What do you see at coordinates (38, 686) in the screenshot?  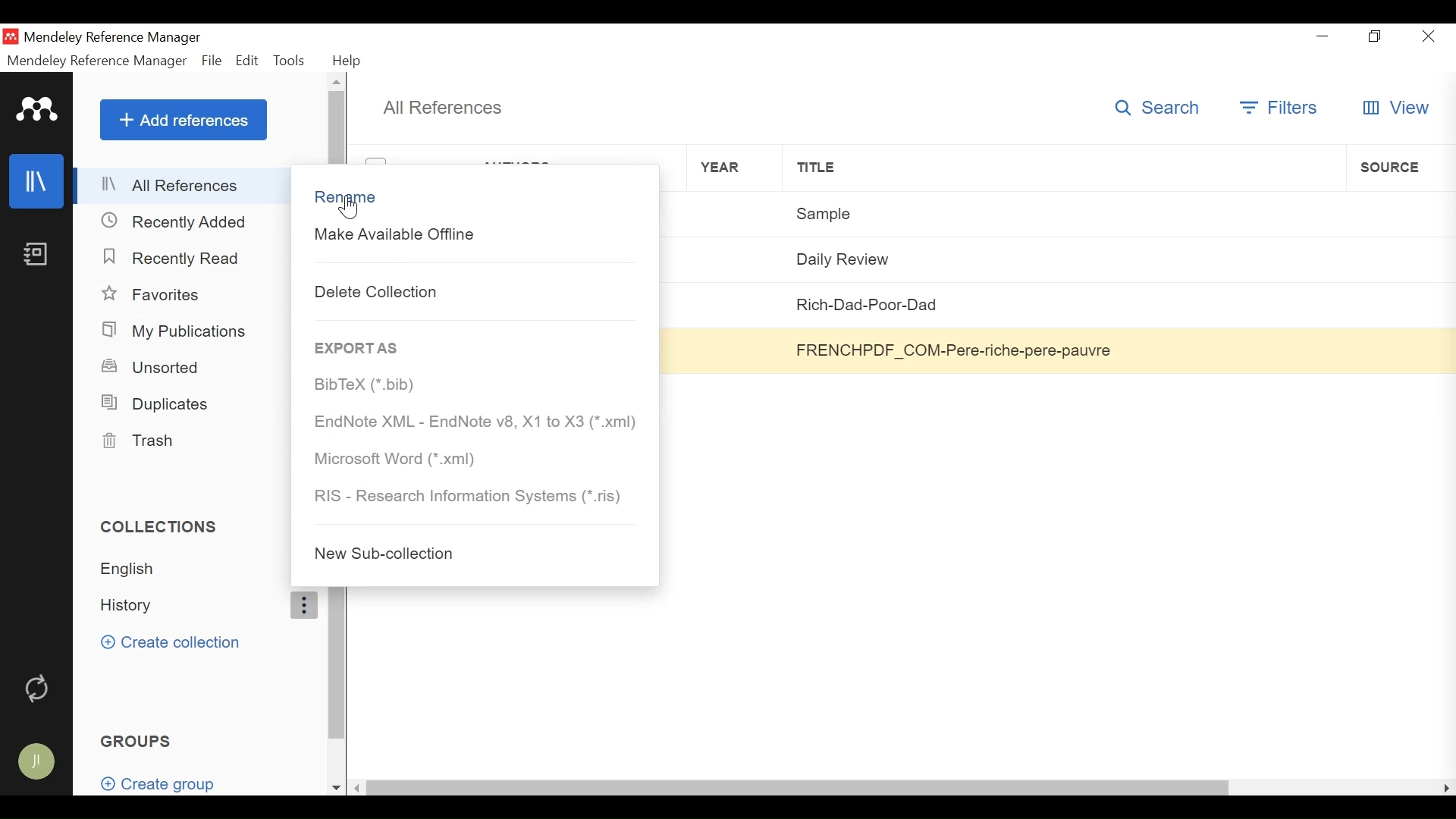 I see `Sync` at bounding box center [38, 686].